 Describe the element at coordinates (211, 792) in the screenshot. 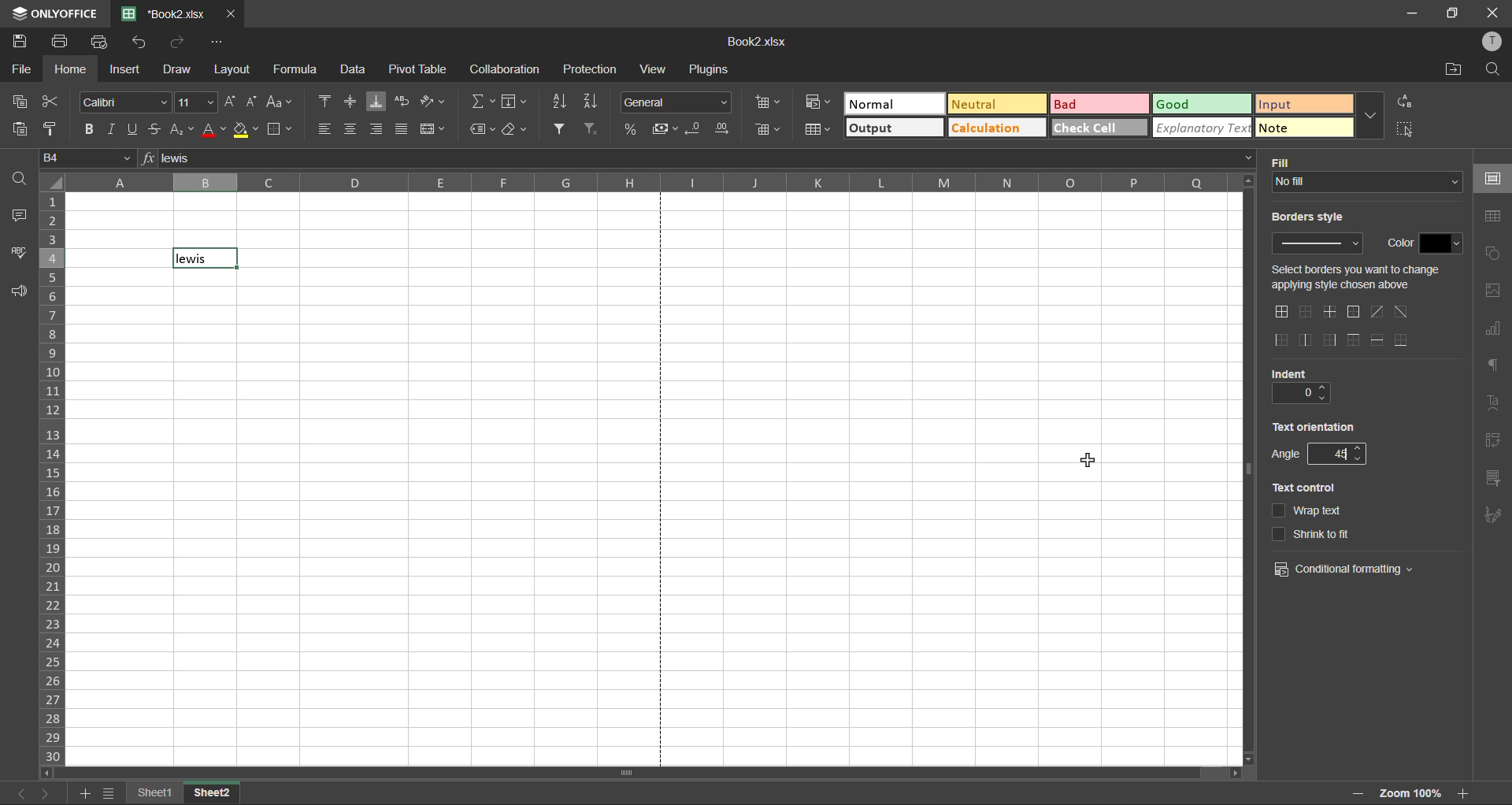

I see `sheet 2` at that location.